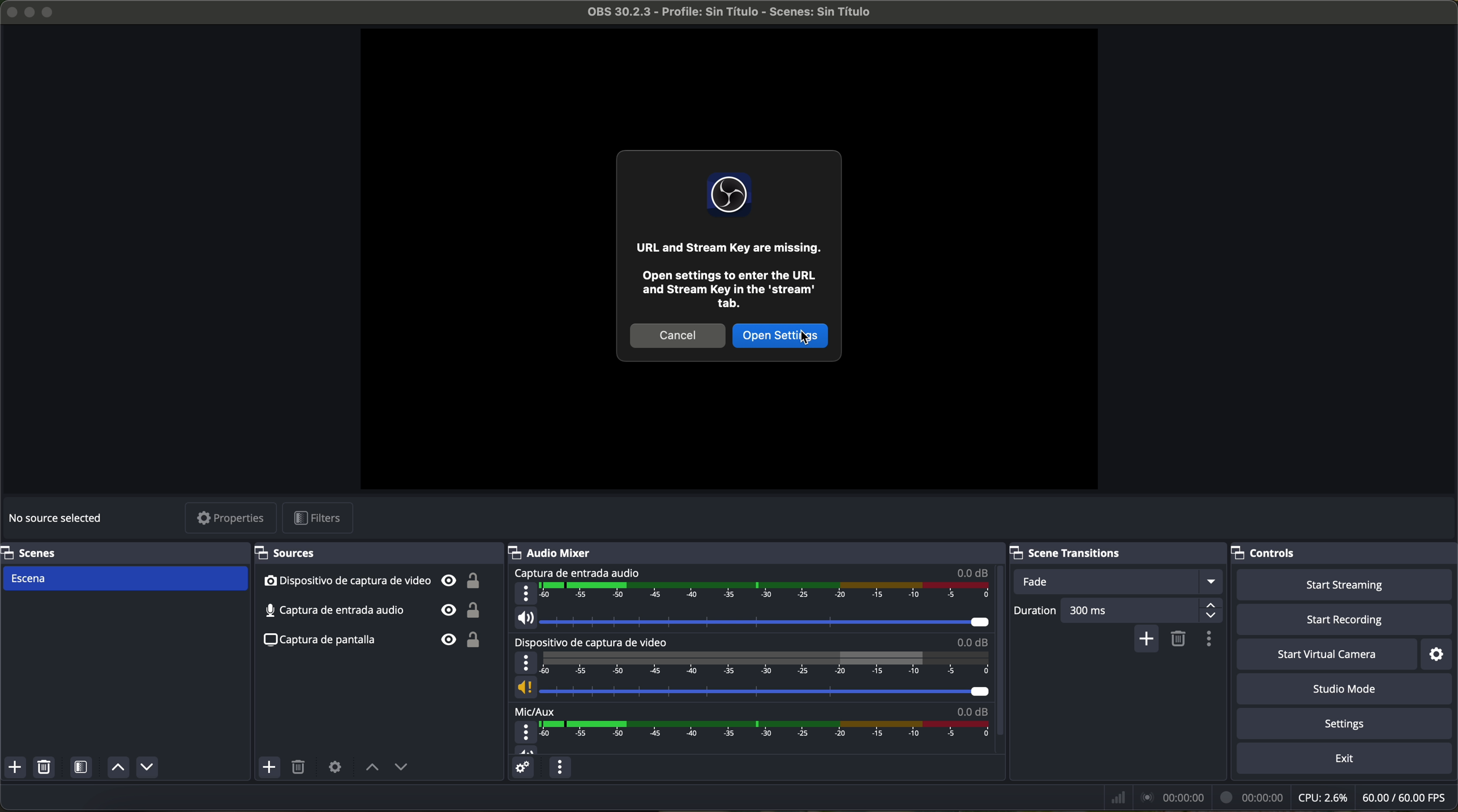 The image size is (1458, 812). What do you see at coordinates (1438, 655) in the screenshot?
I see `settings` at bounding box center [1438, 655].